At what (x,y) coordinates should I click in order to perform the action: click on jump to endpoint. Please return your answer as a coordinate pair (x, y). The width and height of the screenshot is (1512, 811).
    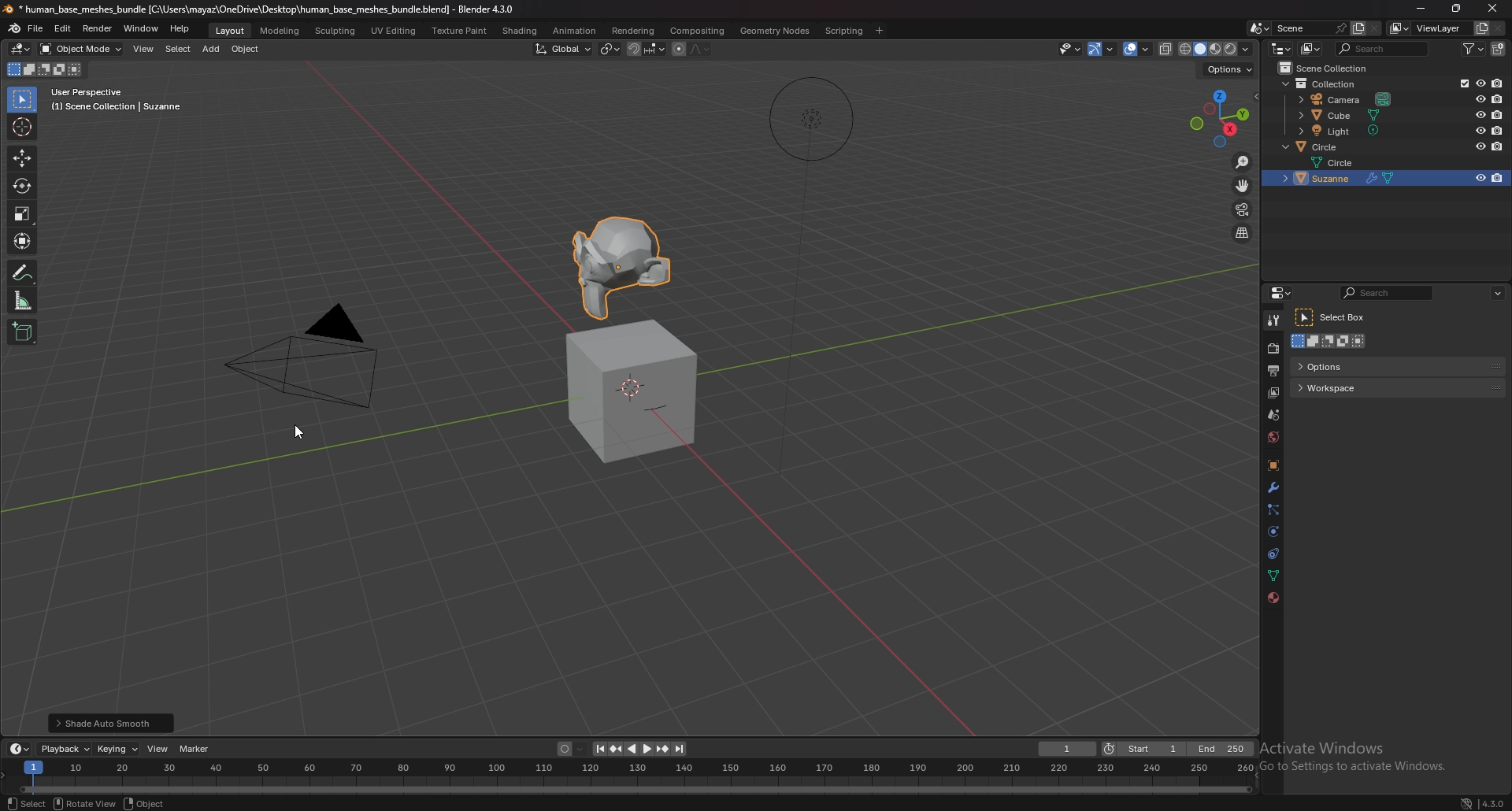
    Looking at the image, I should click on (596, 747).